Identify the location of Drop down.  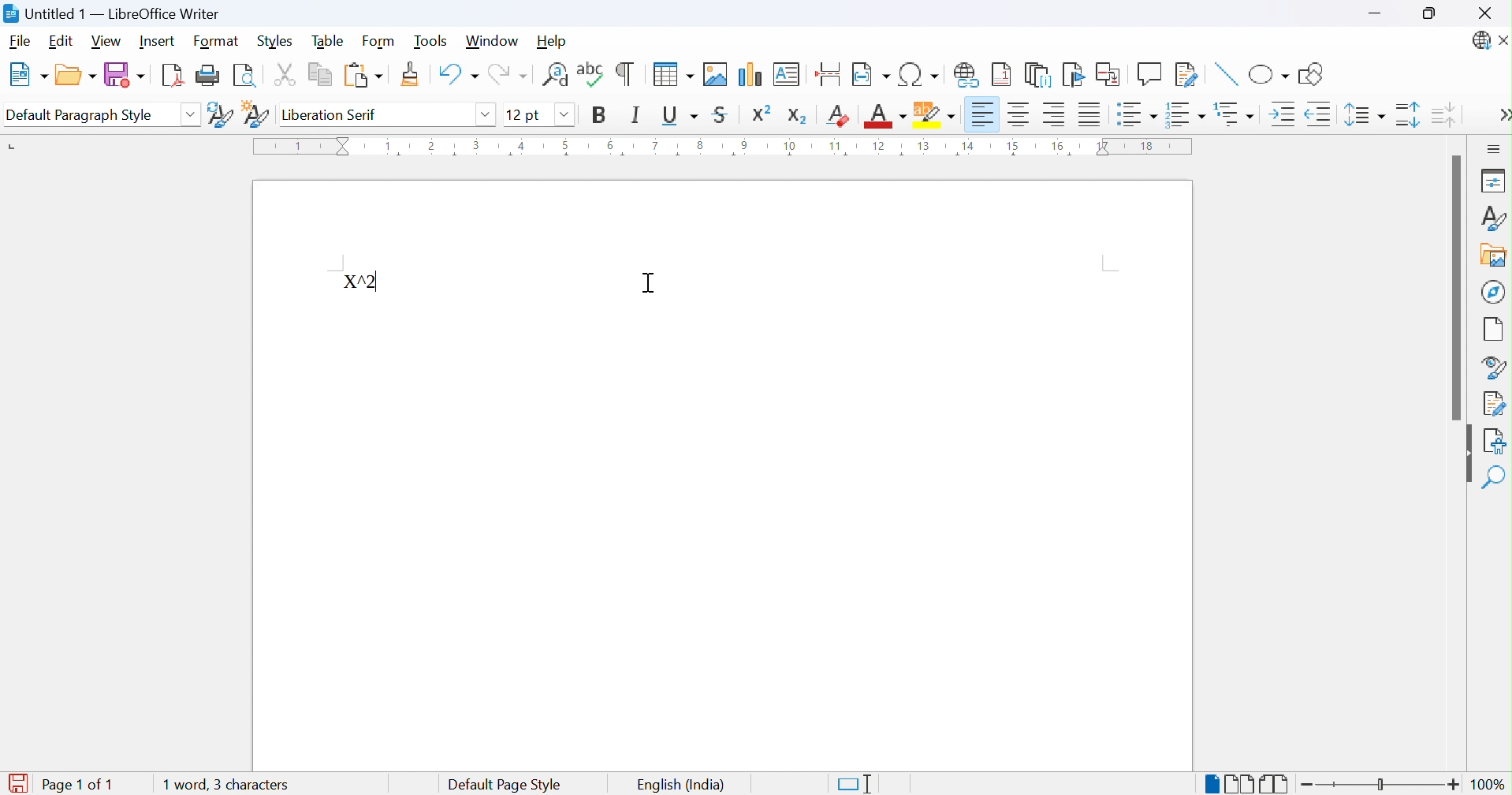
(487, 114).